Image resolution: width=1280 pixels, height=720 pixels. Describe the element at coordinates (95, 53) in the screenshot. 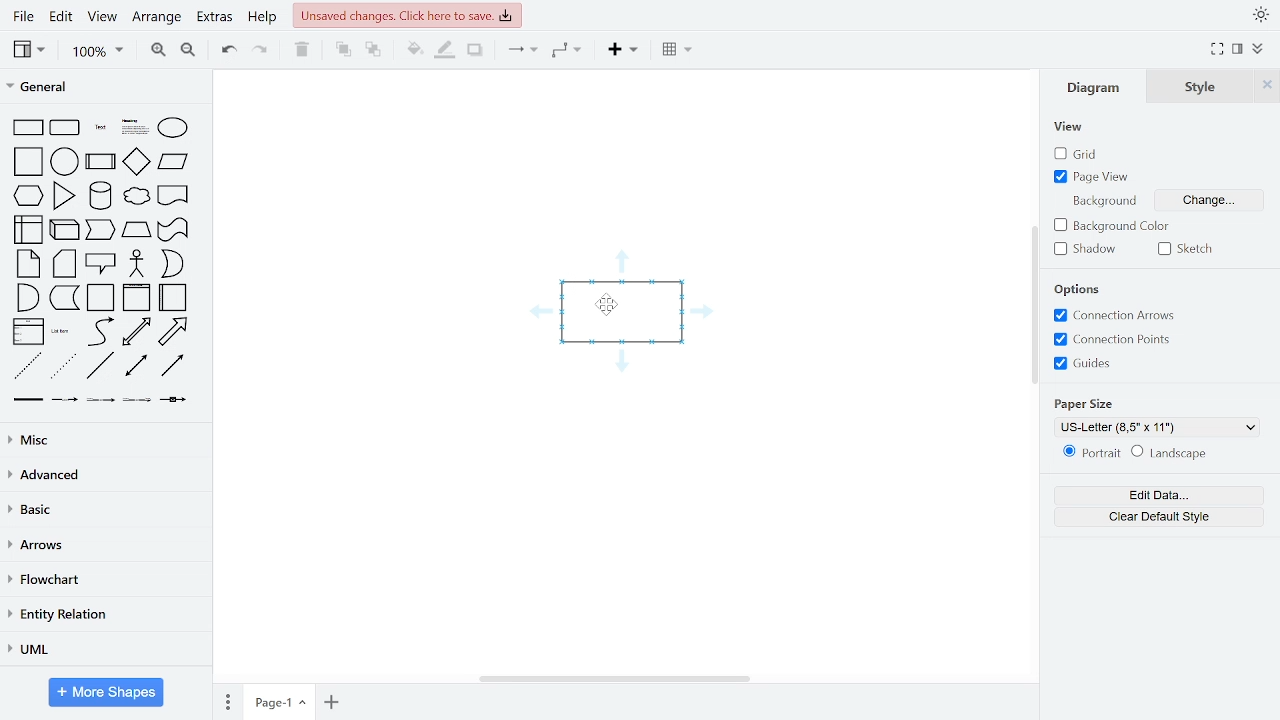

I see `100%` at that location.